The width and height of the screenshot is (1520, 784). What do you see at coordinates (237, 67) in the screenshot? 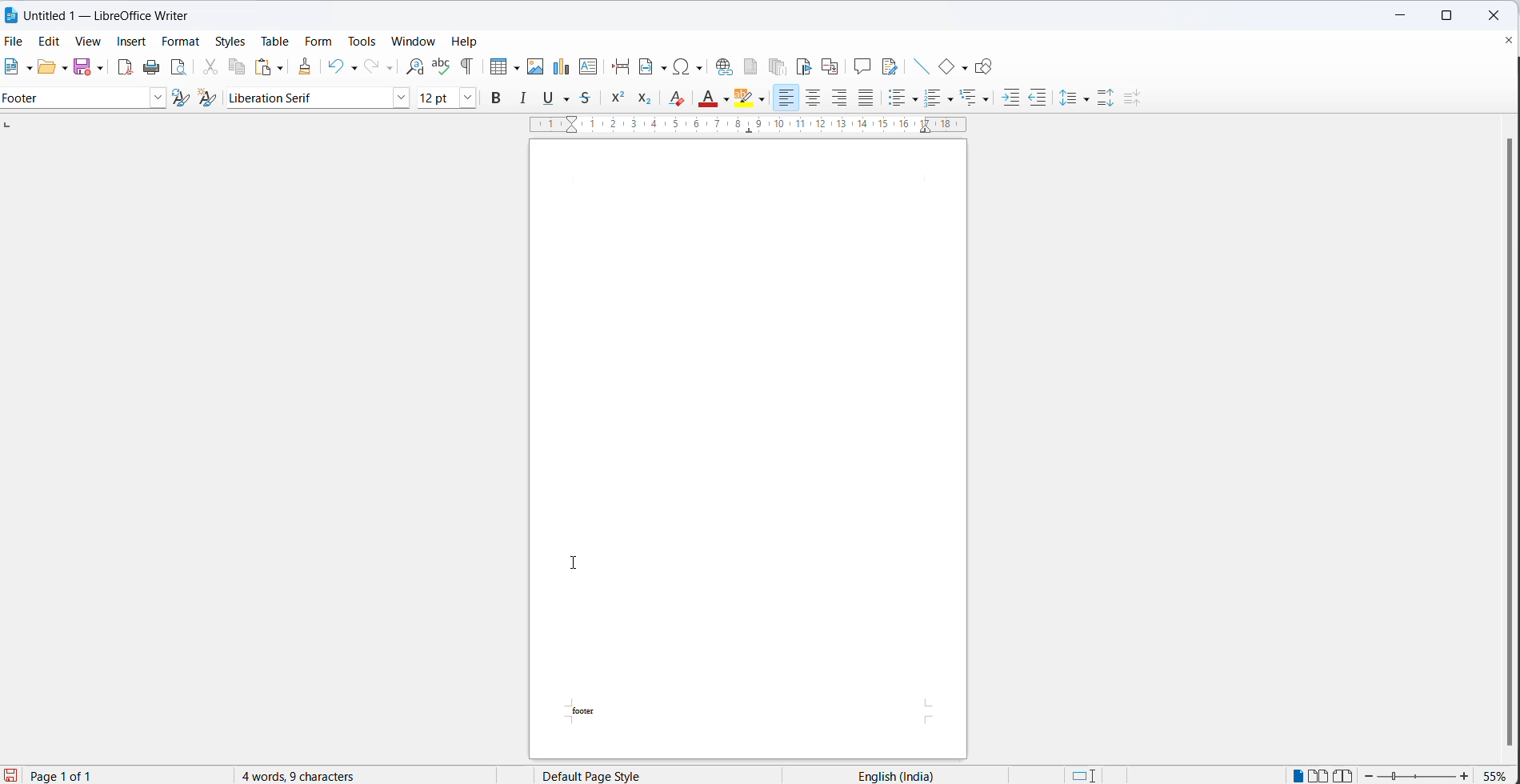
I see `copy` at bounding box center [237, 67].